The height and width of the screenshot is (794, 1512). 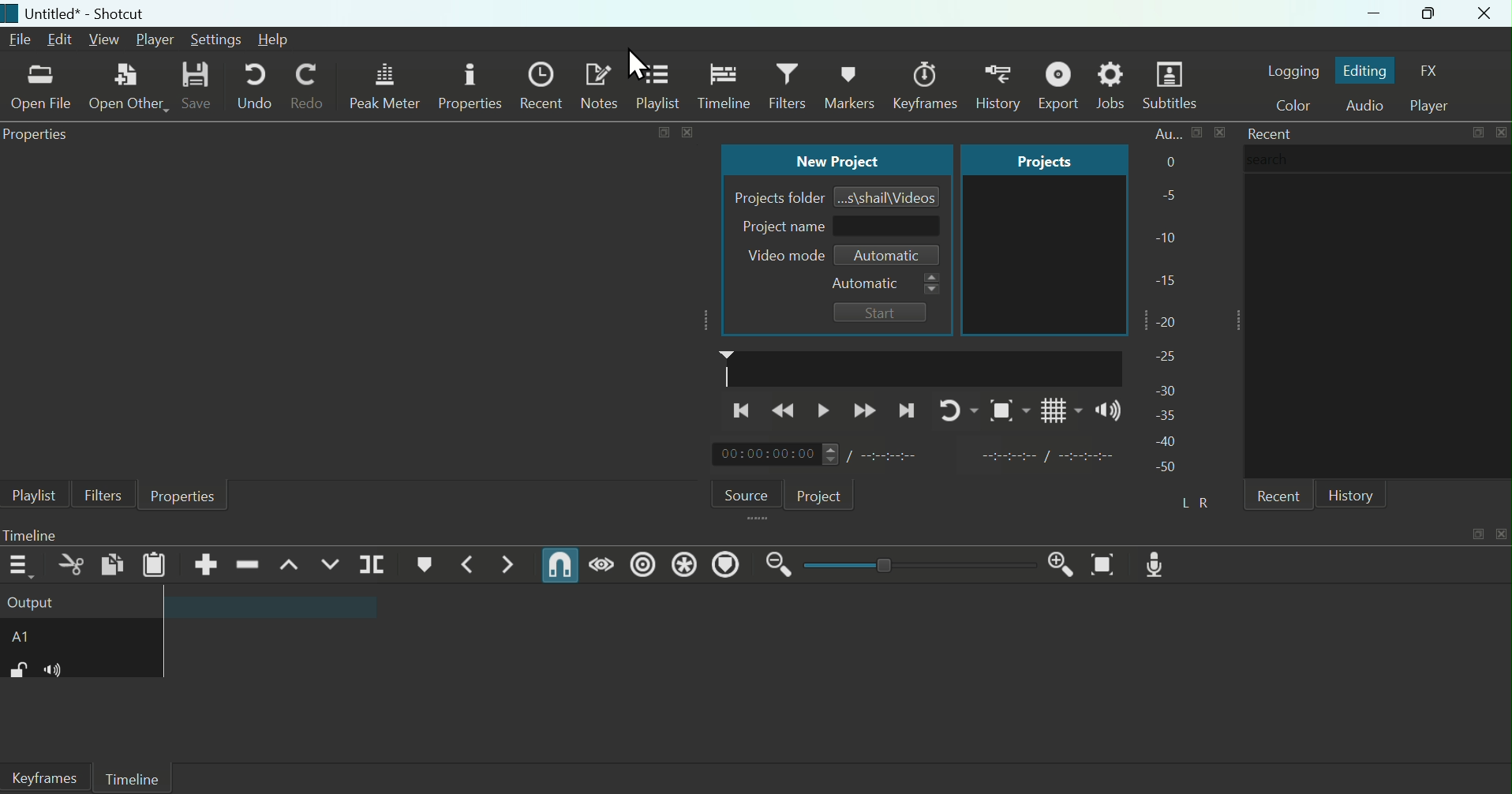 I want to click on Mic, so click(x=1158, y=564).